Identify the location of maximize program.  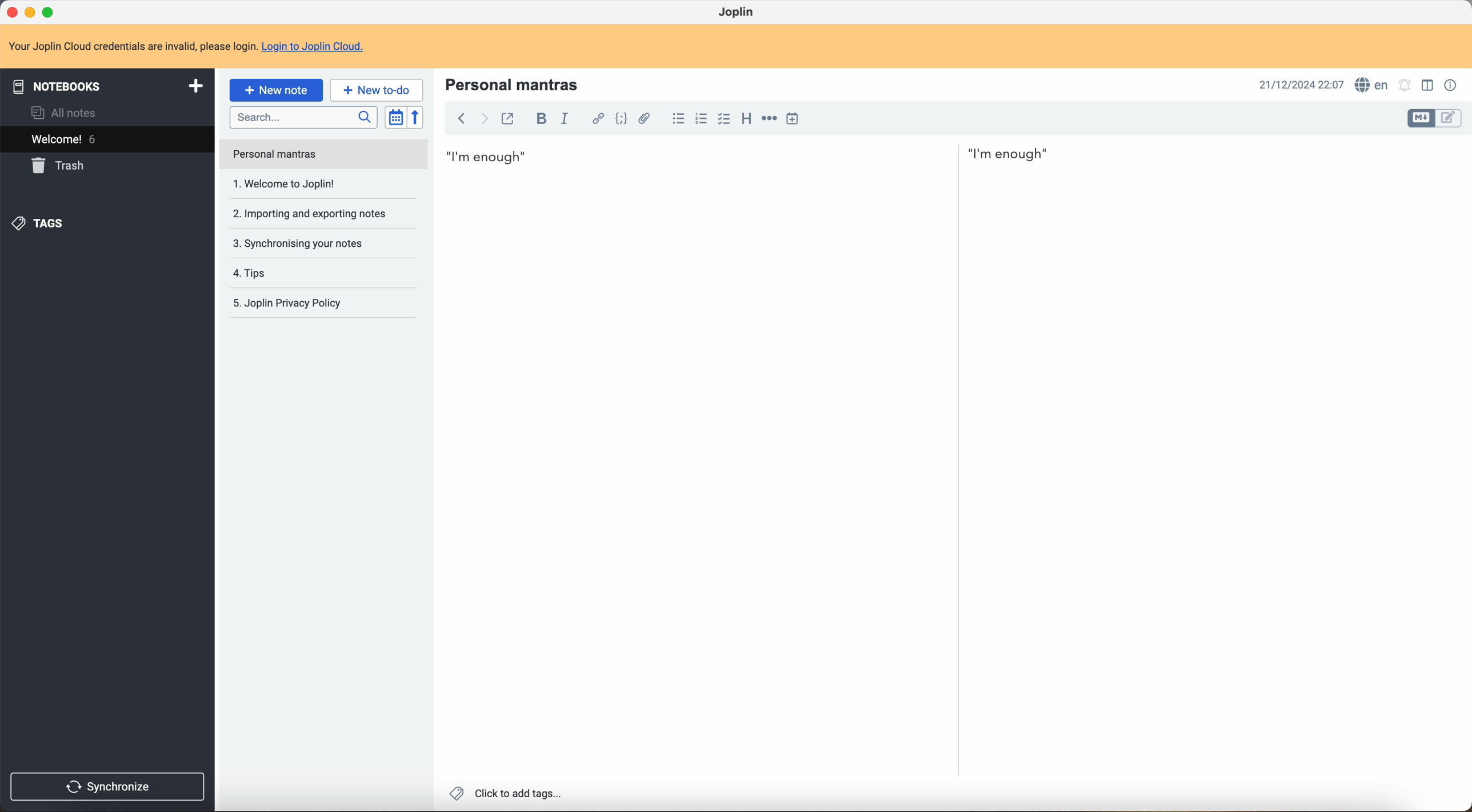
(50, 11).